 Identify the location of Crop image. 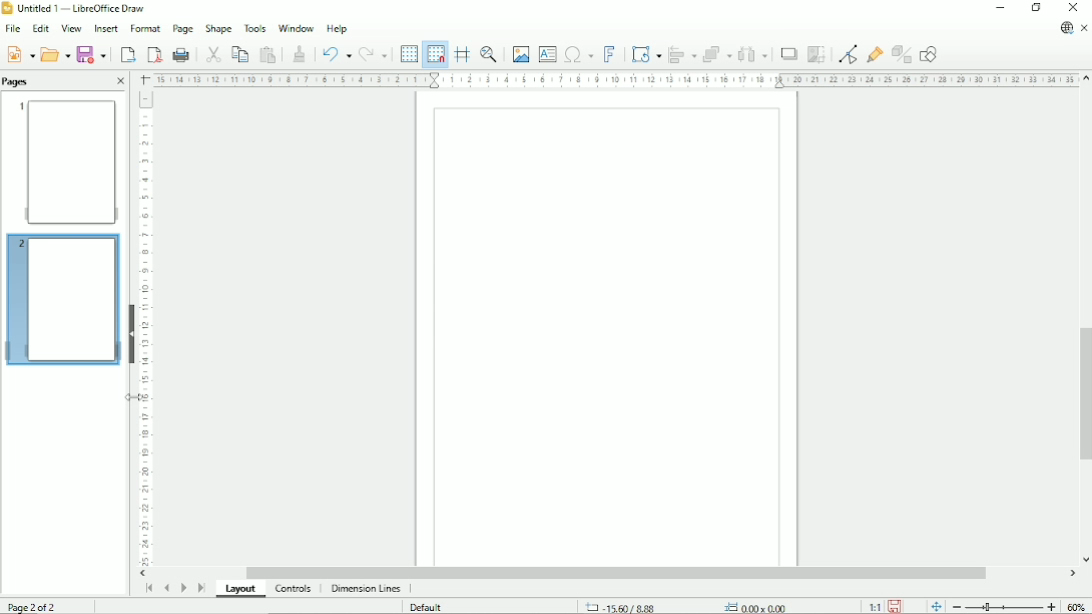
(816, 54).